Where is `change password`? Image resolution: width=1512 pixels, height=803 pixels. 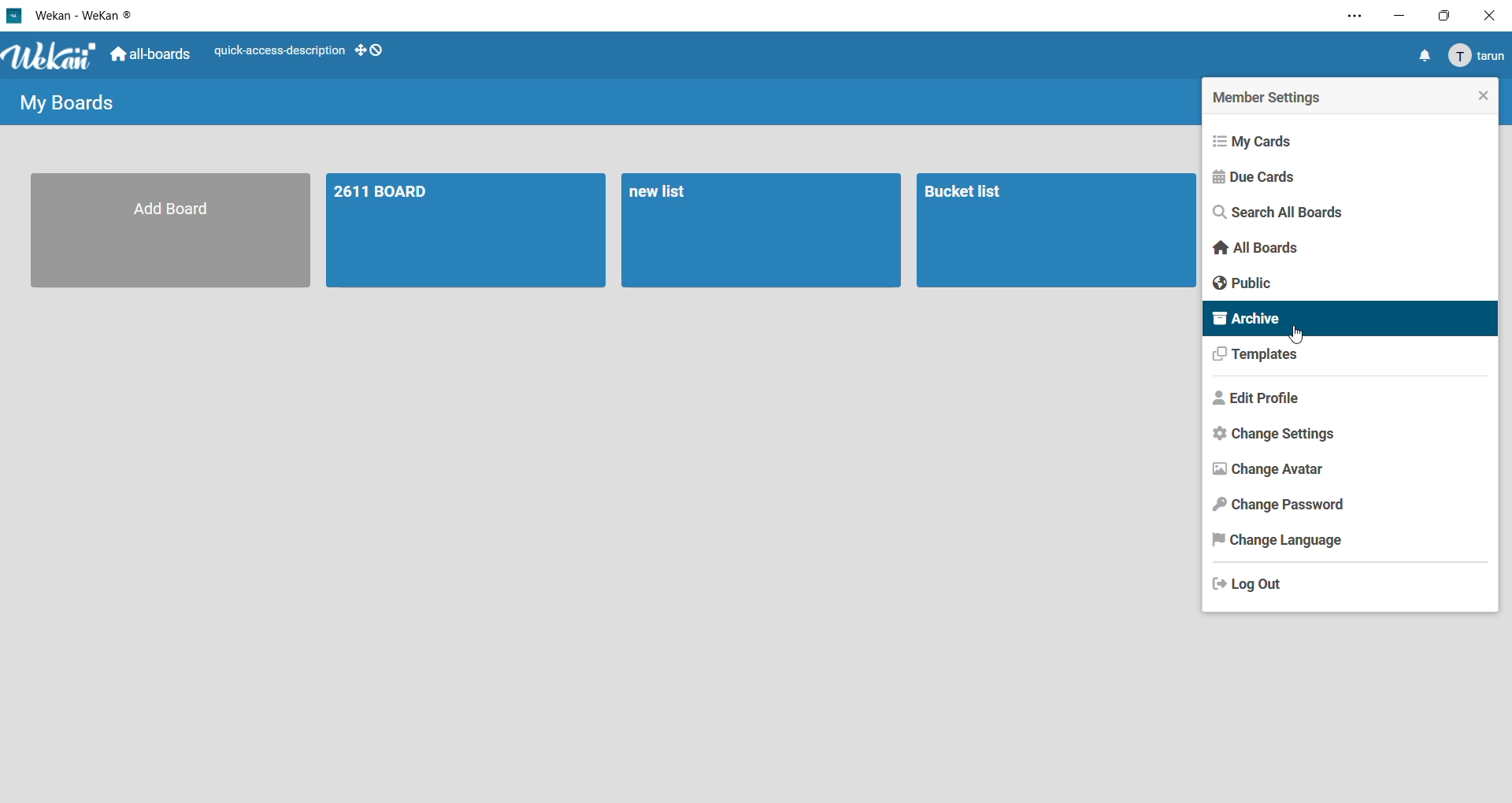
change password is located at coordinates (1280, 505).